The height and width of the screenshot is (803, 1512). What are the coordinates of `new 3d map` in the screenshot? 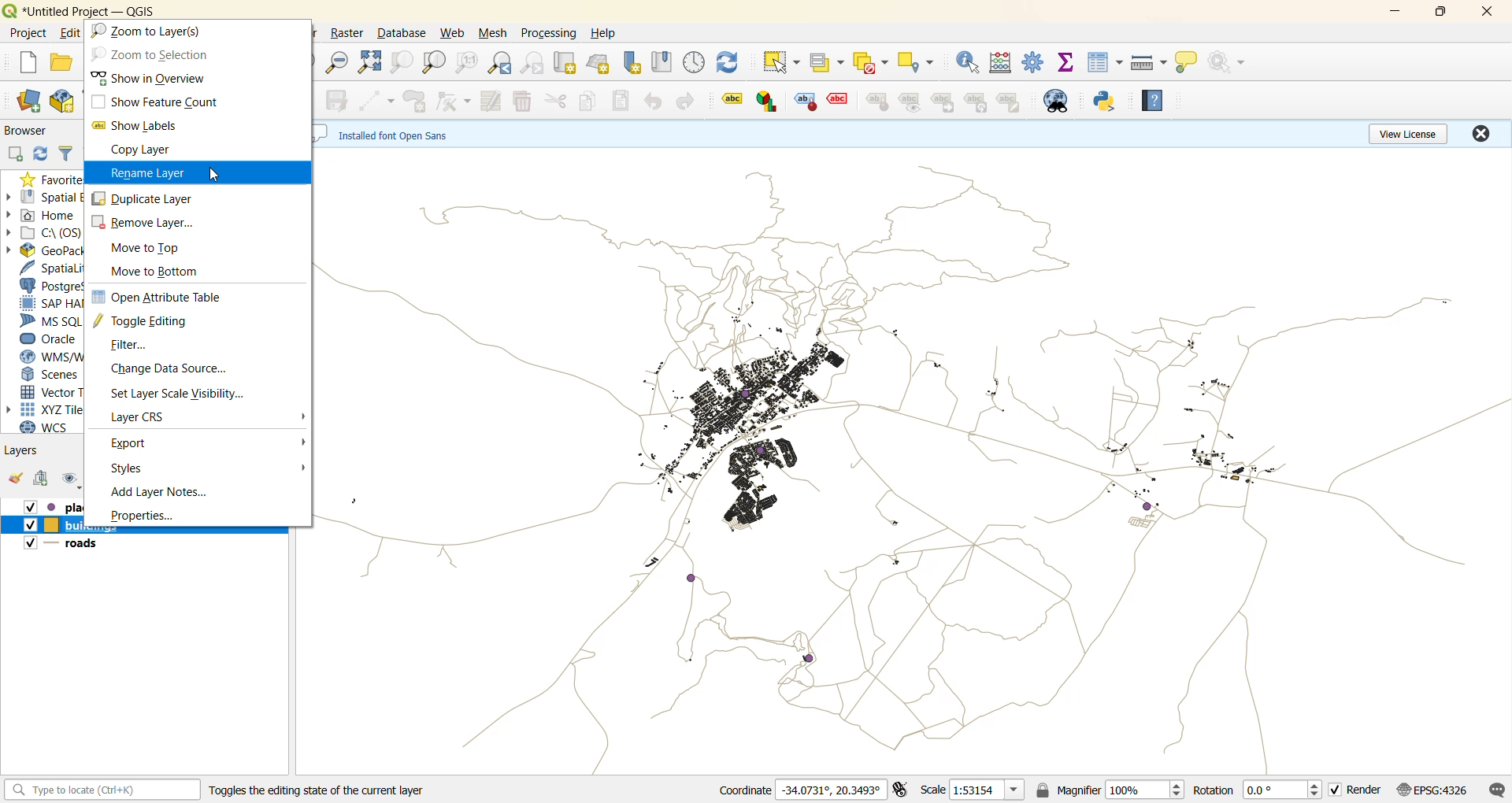 It's located at (599, 63).